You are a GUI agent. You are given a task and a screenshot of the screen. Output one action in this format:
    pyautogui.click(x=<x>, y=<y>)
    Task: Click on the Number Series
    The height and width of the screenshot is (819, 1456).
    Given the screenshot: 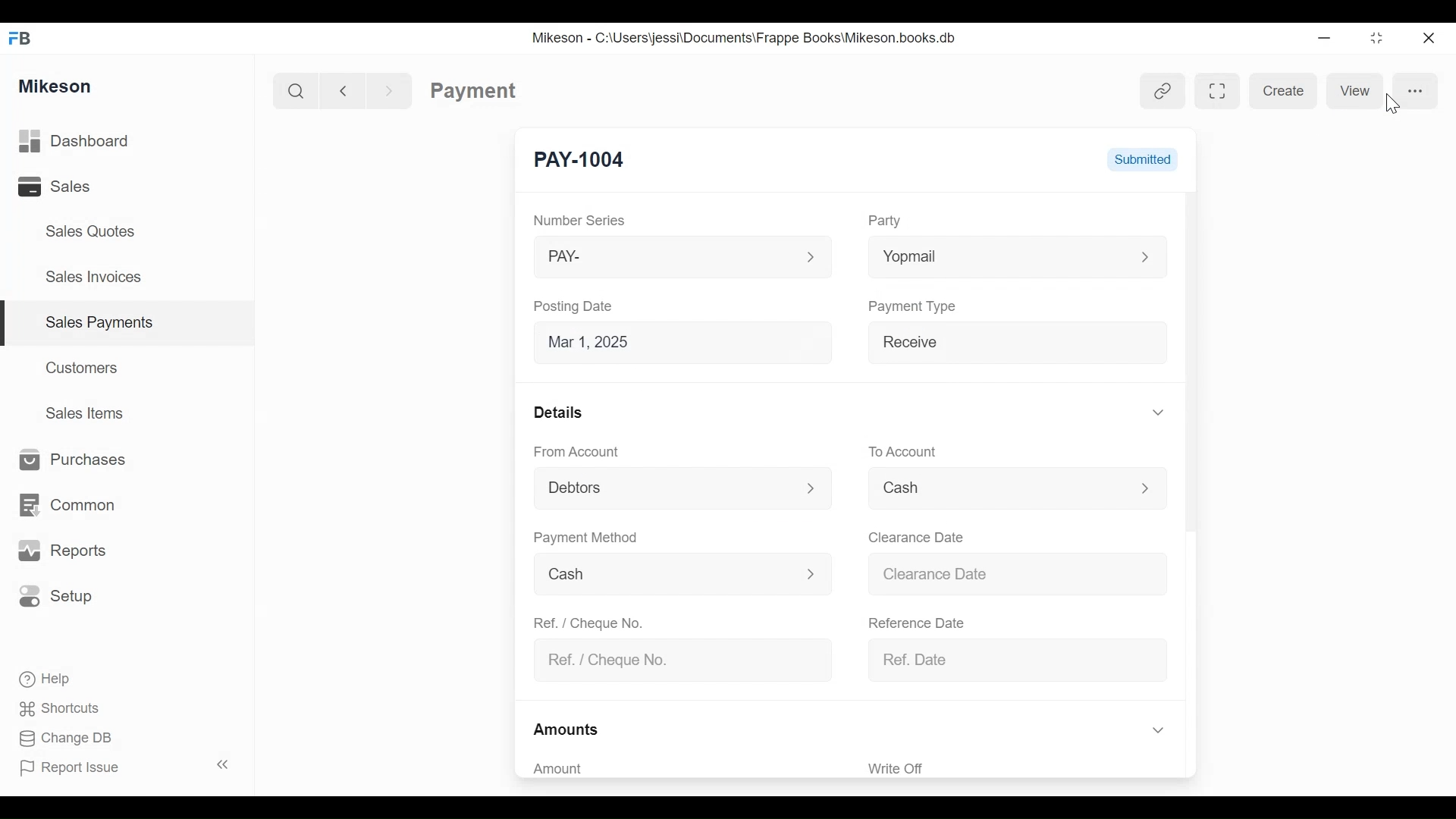 What is the action you would take?
    pyautogui.click(x=582, y=221)
    